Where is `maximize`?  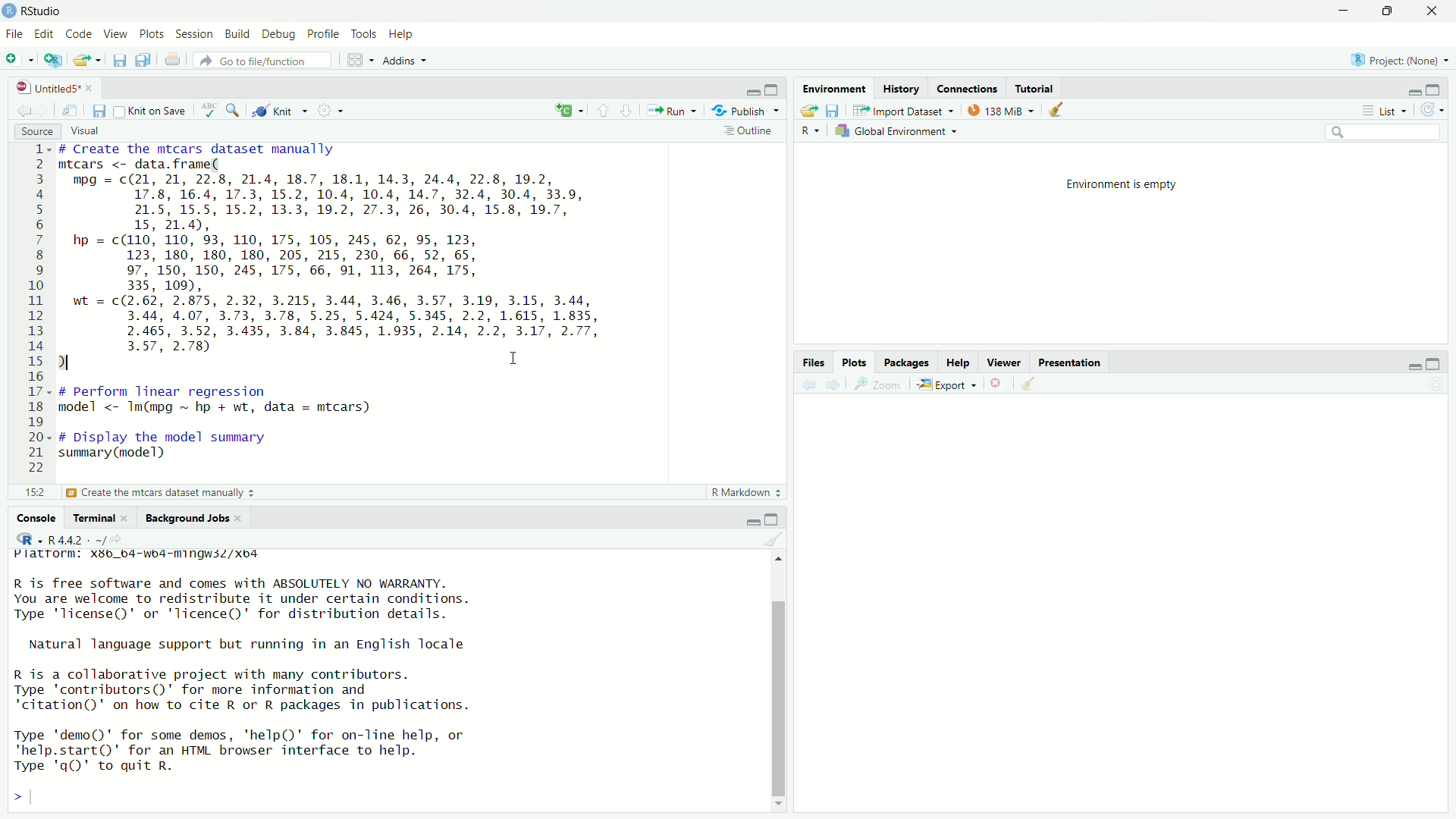 maximize is located at coordinates (773, 90).